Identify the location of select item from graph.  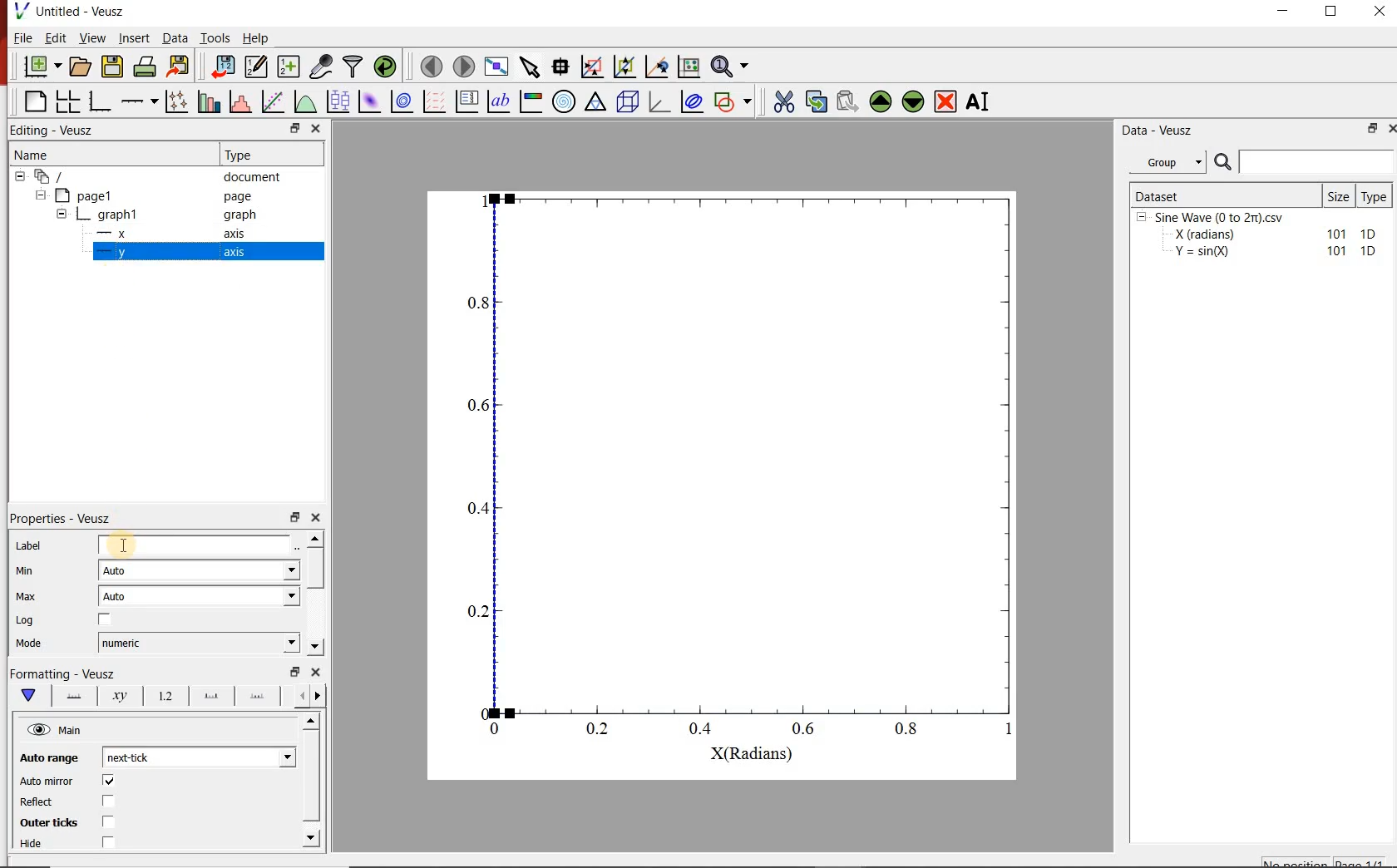
(531, 65).